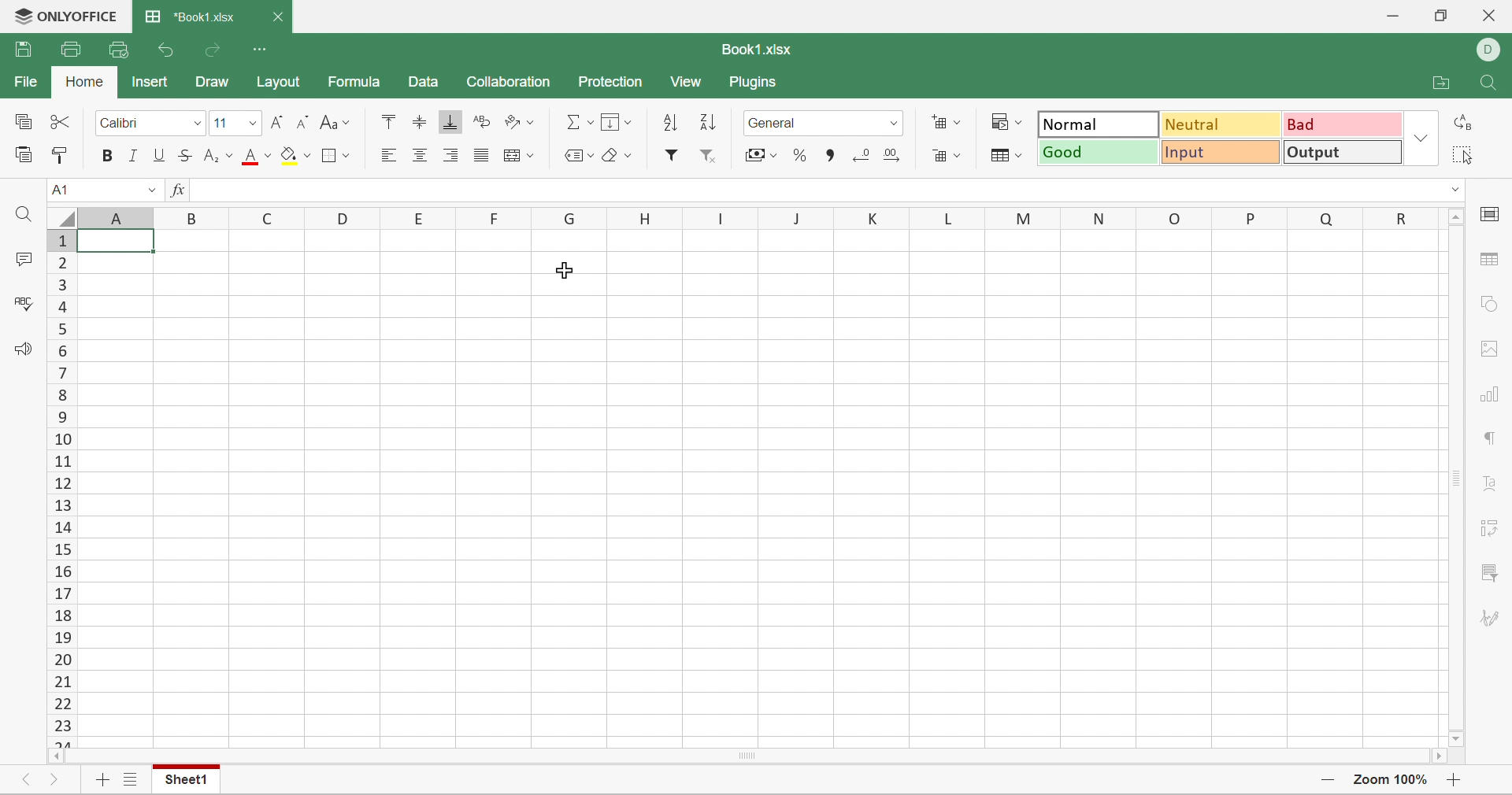  I want to click on Quick print, so click(119, 50).